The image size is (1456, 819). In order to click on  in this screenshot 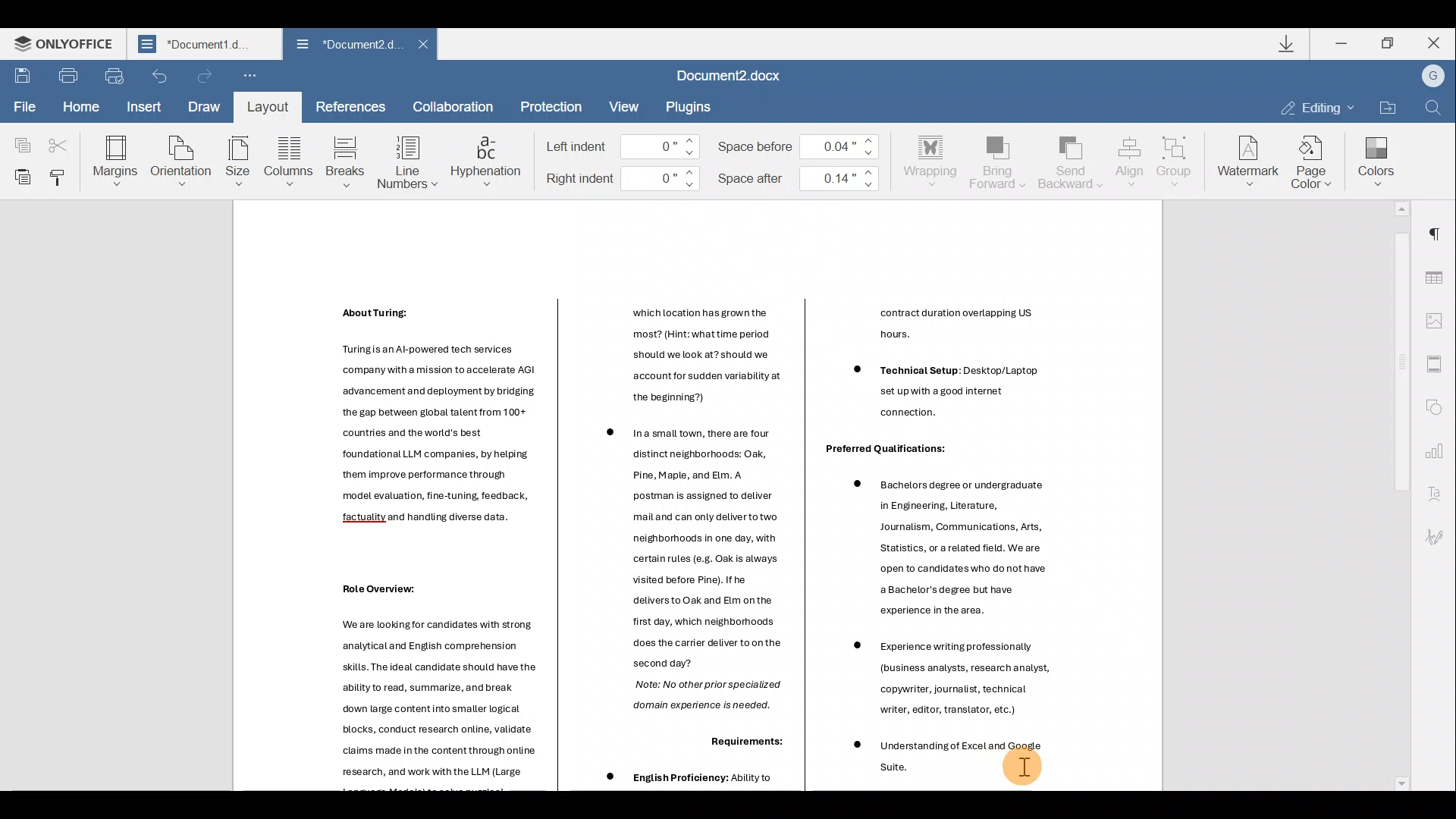, I will do `click(702, 354)`.